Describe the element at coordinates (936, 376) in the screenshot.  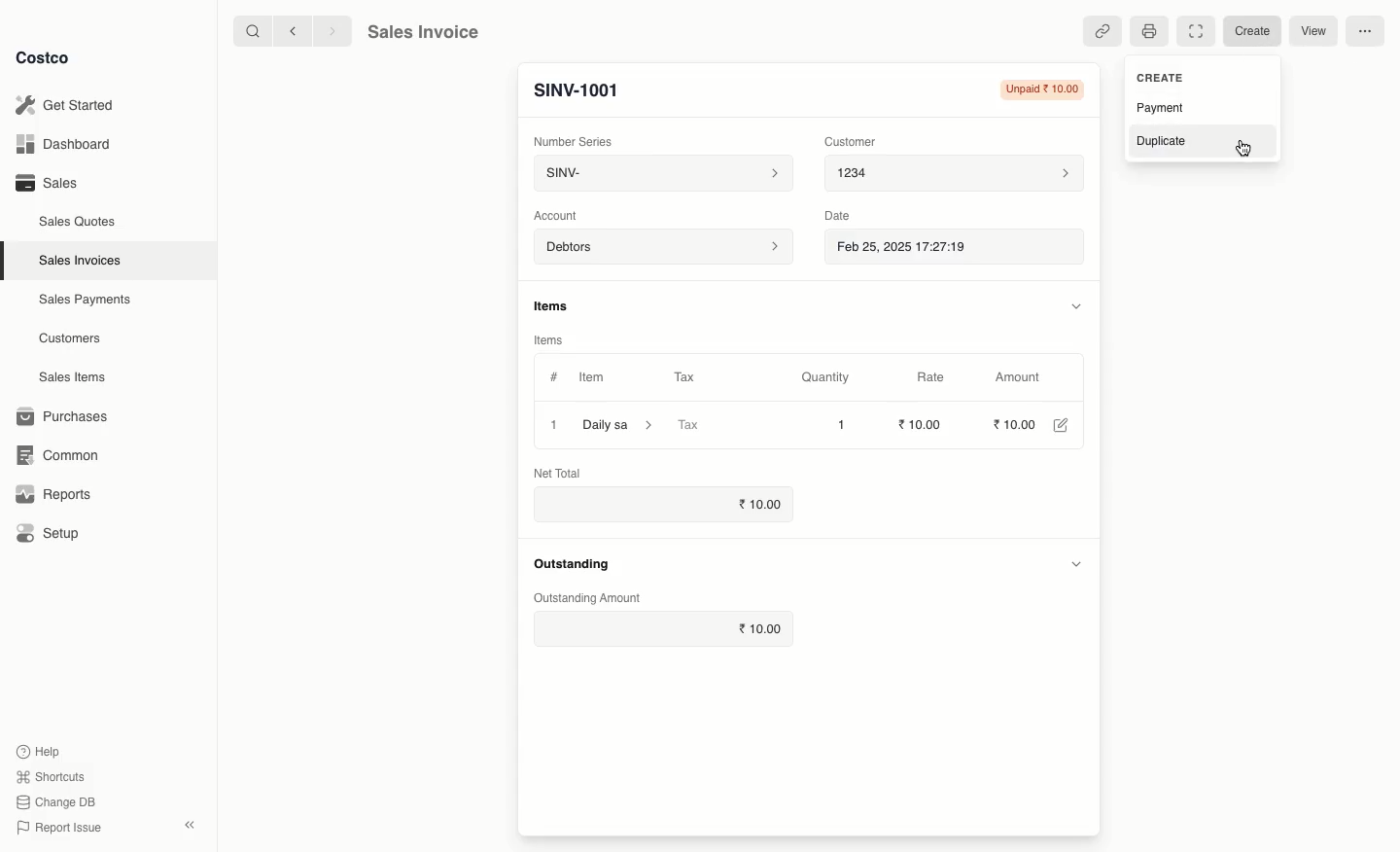
I see `Rate` at that location.